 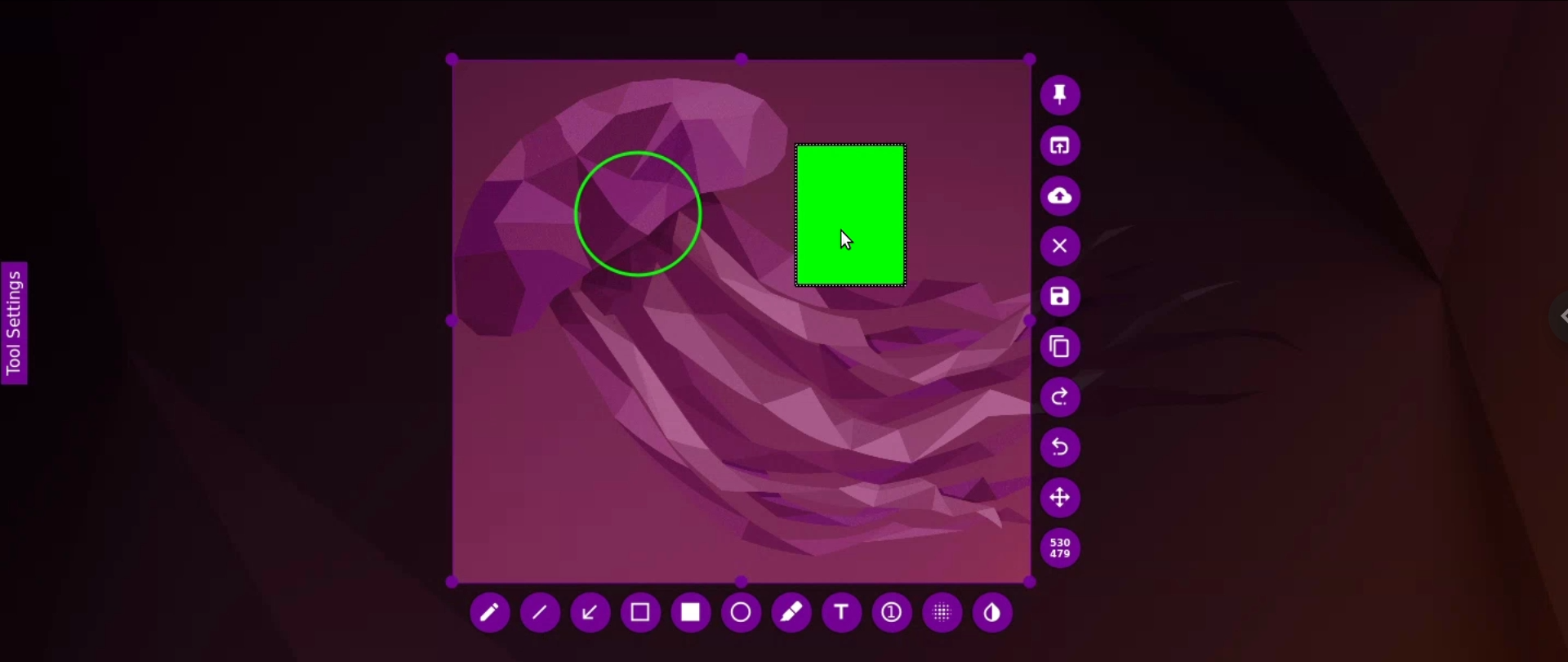 What do you see at coordinates (492, 613) in the screenshot?
I see `pencil` at bounding box center [492, 613].